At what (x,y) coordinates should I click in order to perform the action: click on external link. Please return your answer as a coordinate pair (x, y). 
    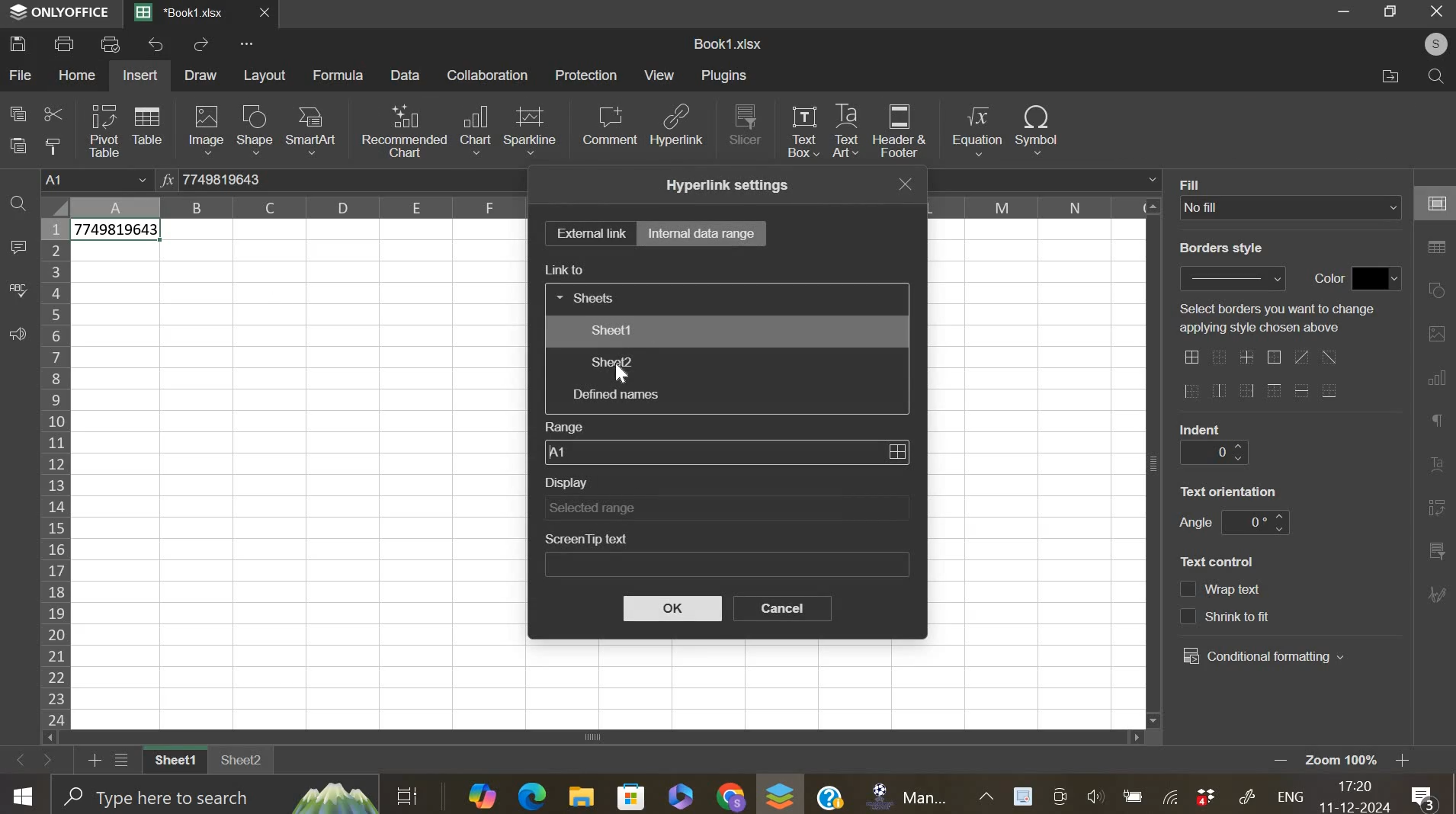
    Looking at the image, I should click on (589, 232).